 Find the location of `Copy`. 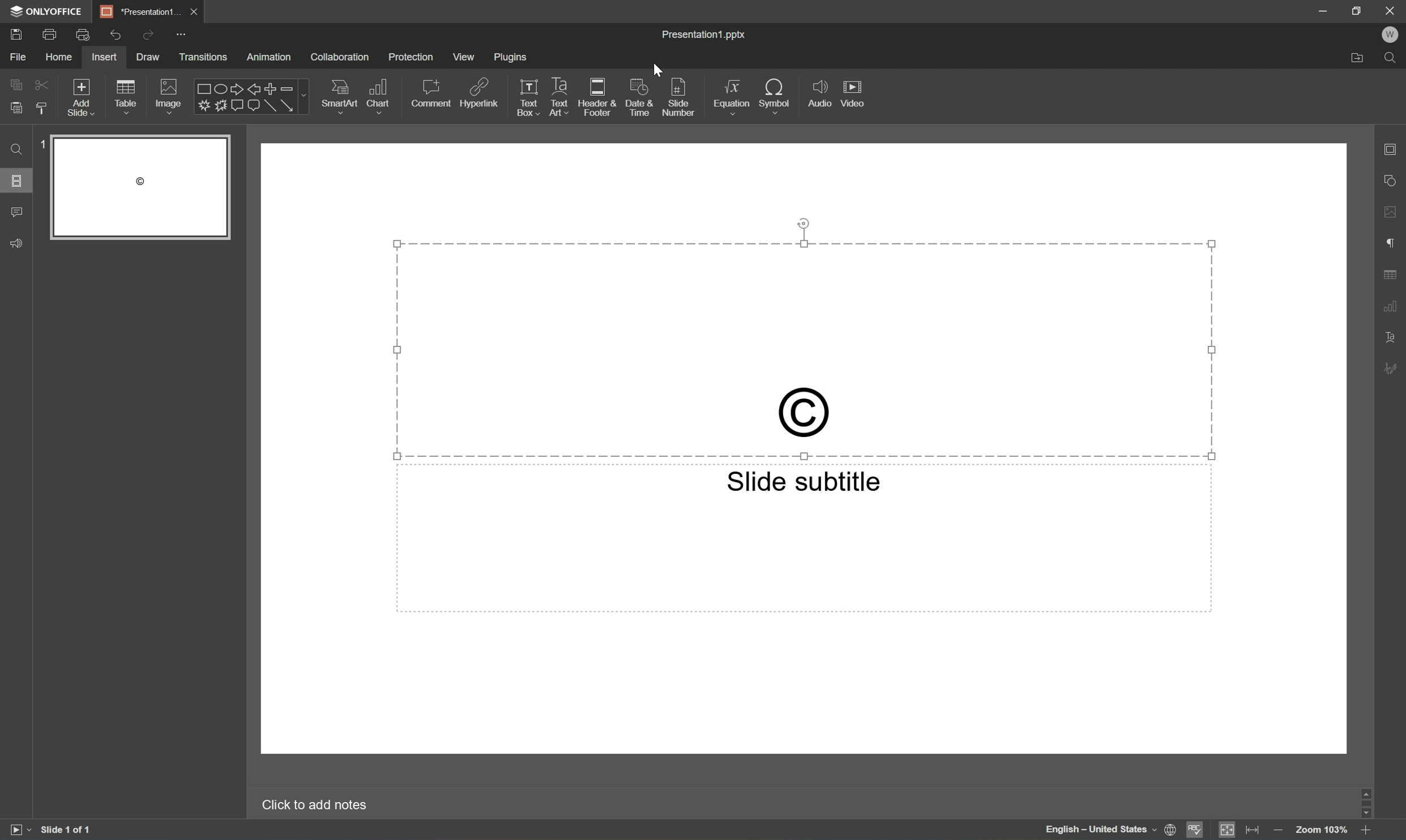

Copy is located at coordinates (13, 83).